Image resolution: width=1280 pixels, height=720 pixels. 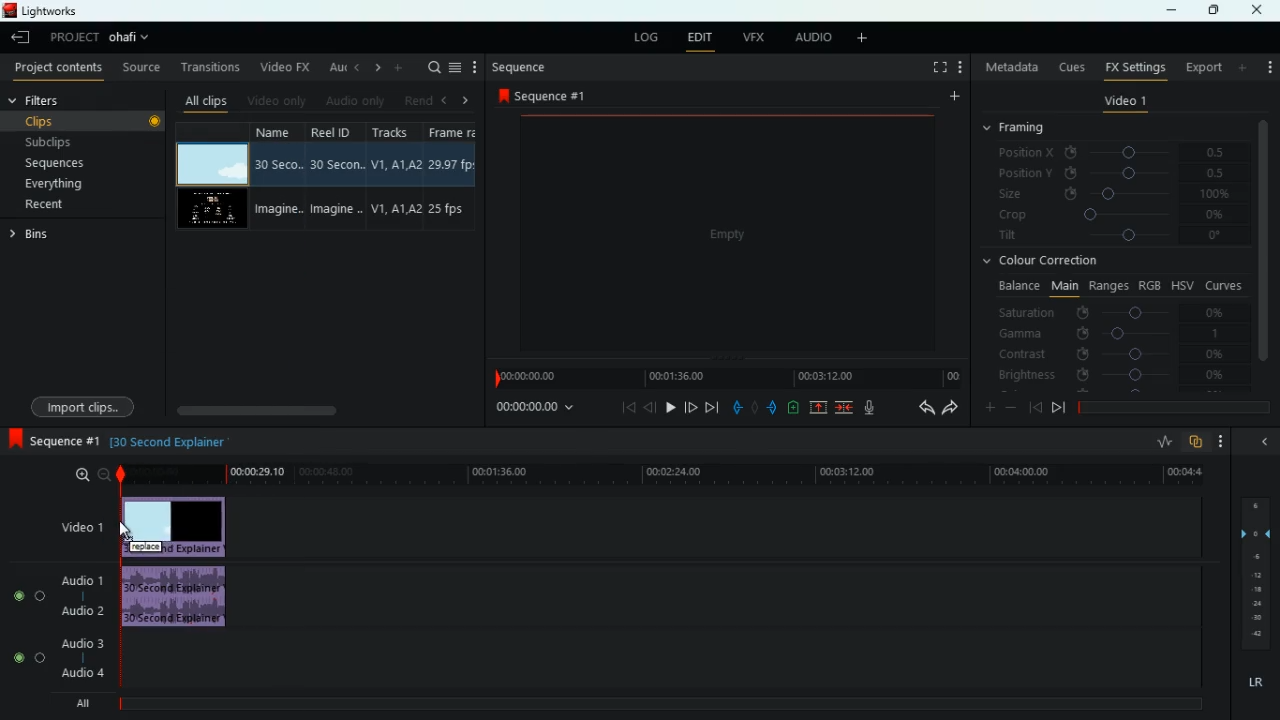 What do you see at coordinates (398, 67) in the screenshot?
I see `more` at bounding box center [398, 67].